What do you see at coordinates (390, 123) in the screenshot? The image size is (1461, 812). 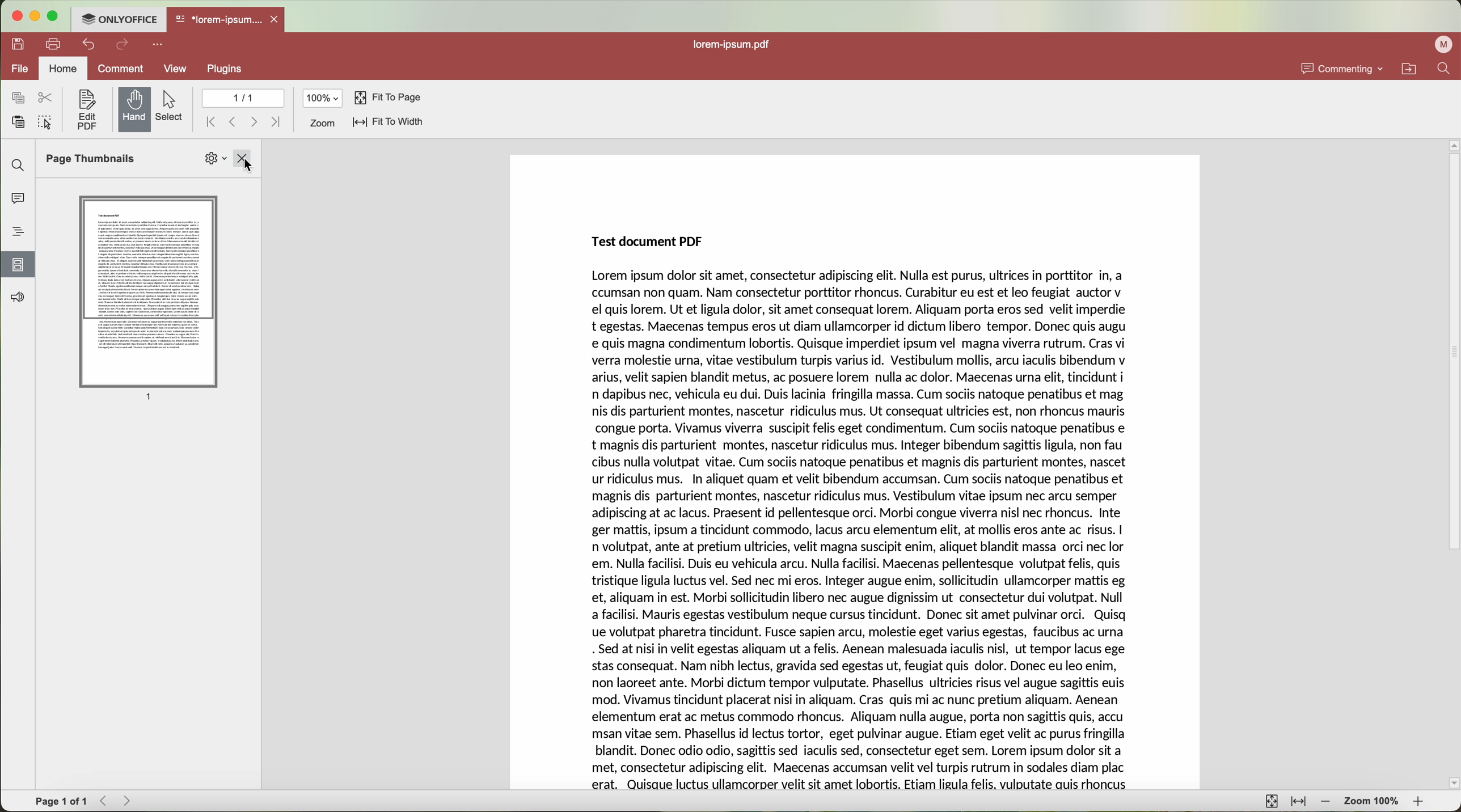 I see `fit to width` at bounding box center [390, 123].